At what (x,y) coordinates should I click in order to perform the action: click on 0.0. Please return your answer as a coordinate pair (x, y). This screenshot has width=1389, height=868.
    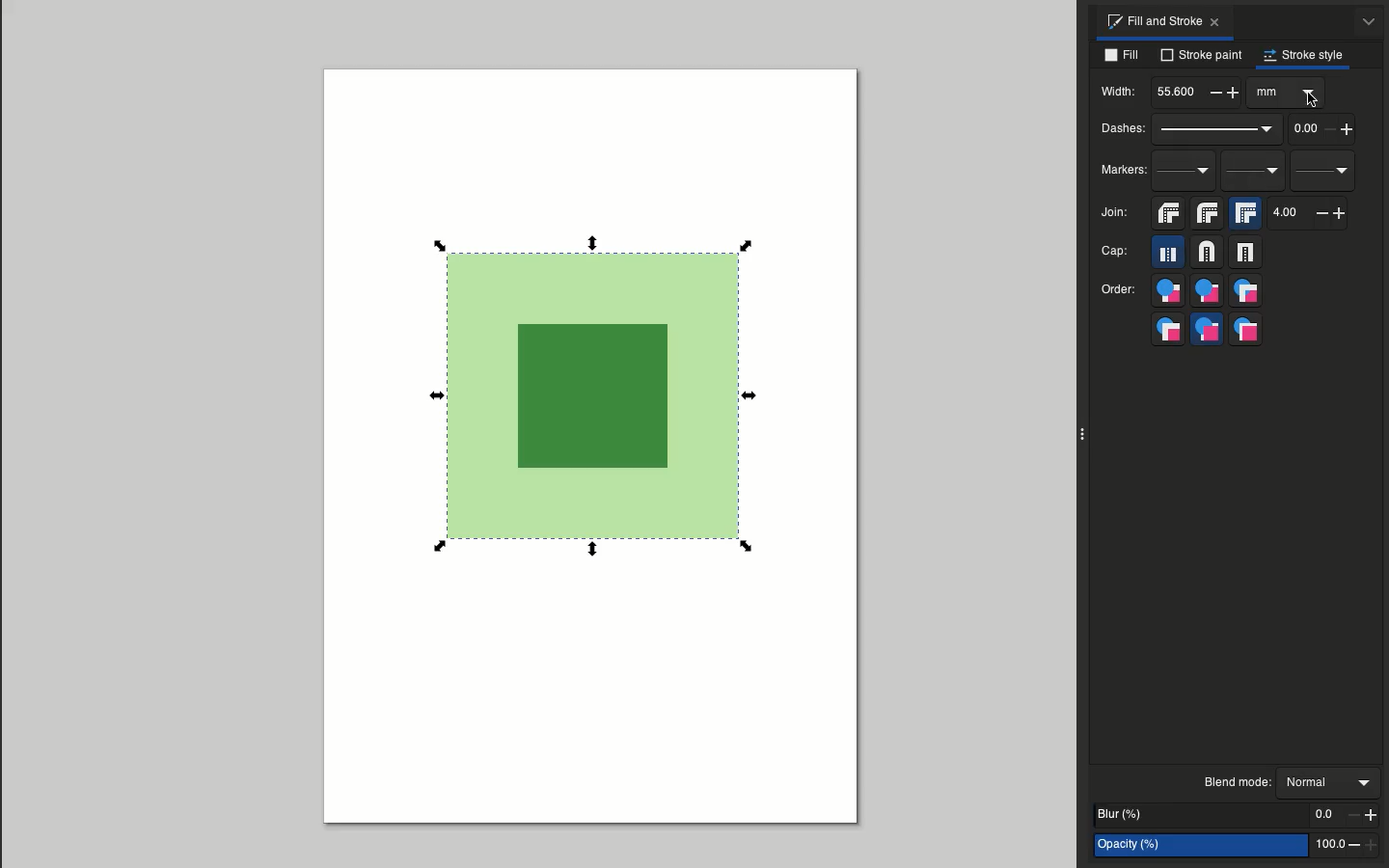
    Looking at the image, I should click on (1344, 818).